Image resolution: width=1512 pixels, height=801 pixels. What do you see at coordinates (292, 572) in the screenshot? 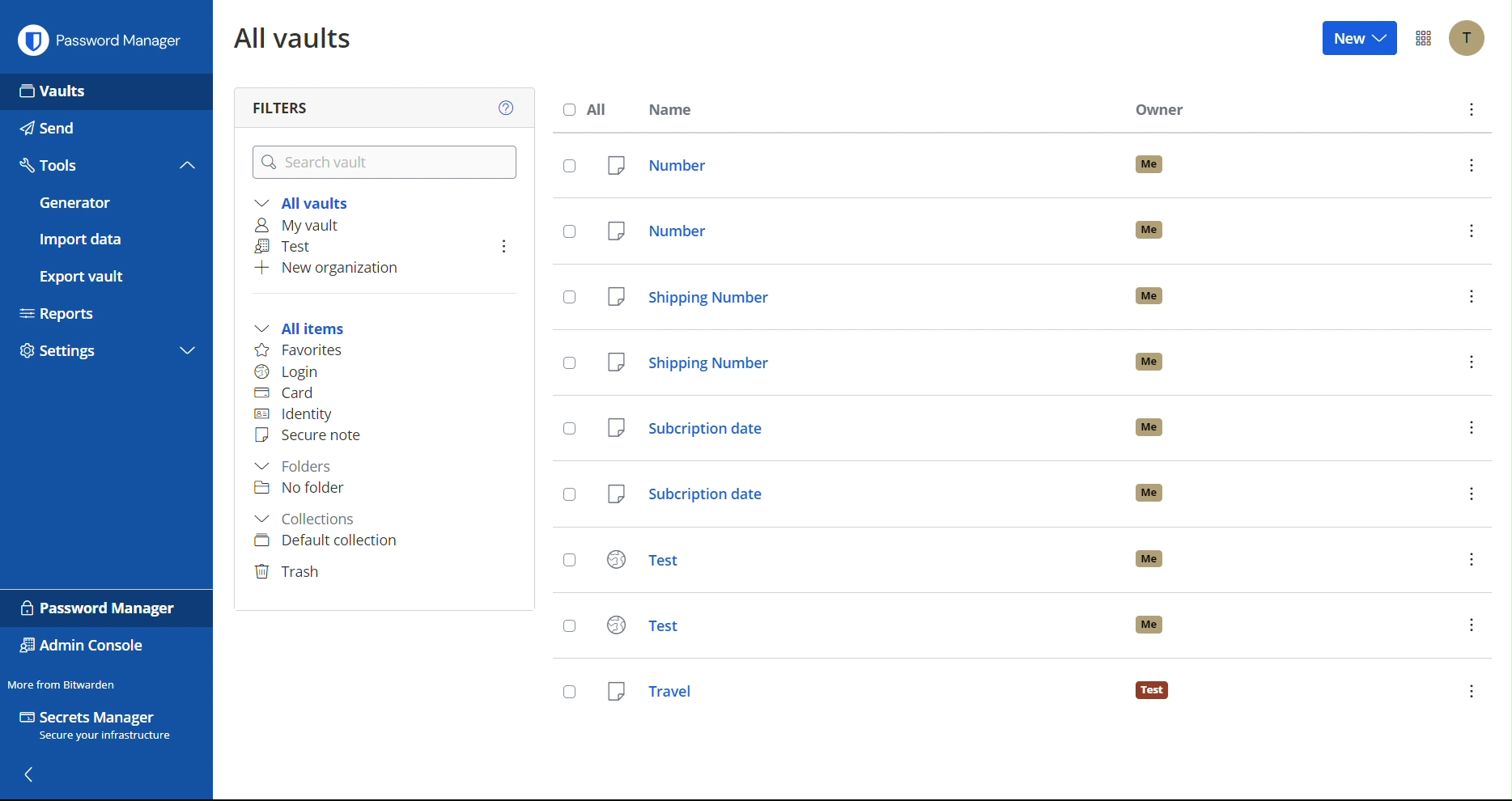
I see `Trash` at bounding box center [292, 572].